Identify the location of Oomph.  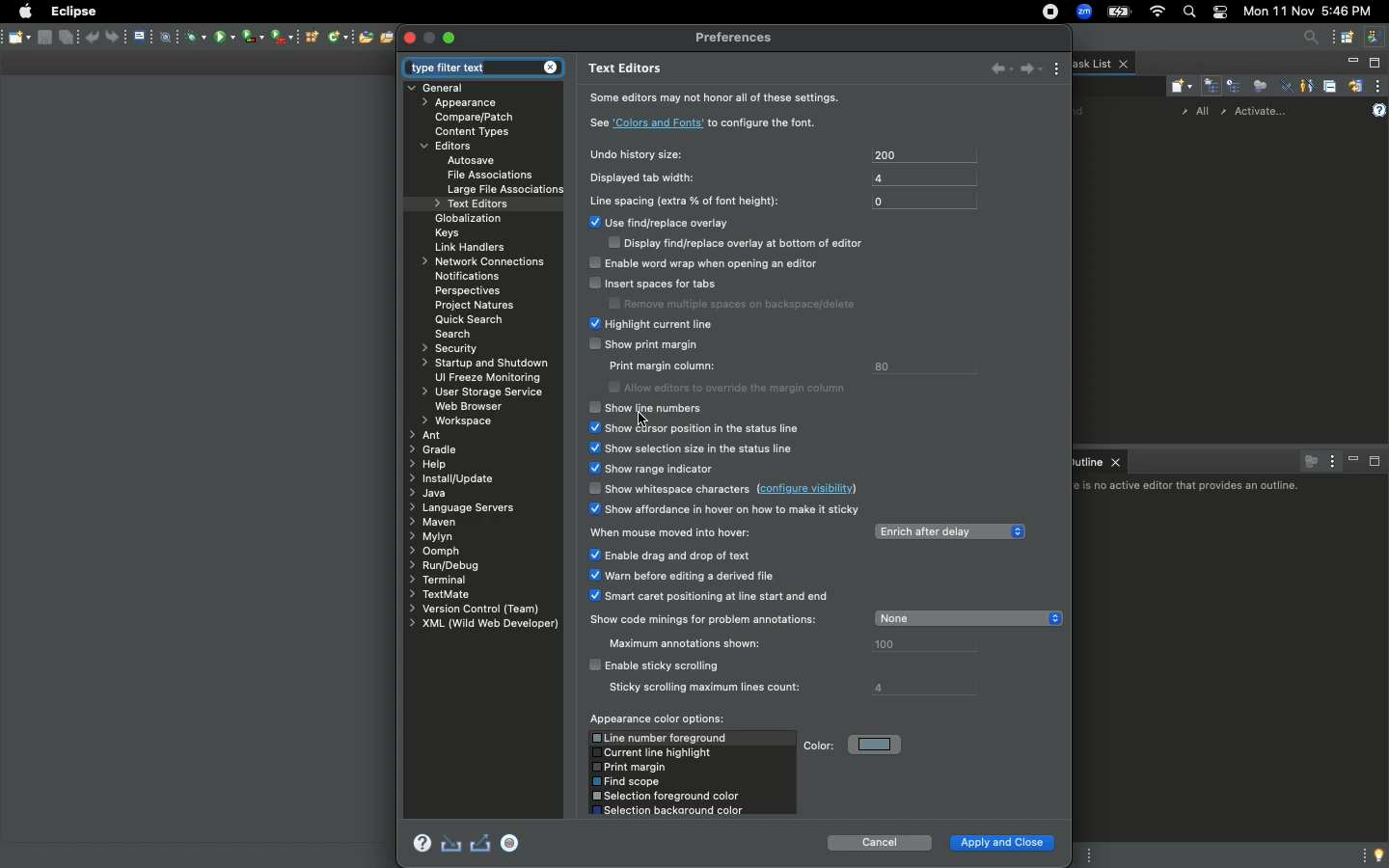
(438, 550).